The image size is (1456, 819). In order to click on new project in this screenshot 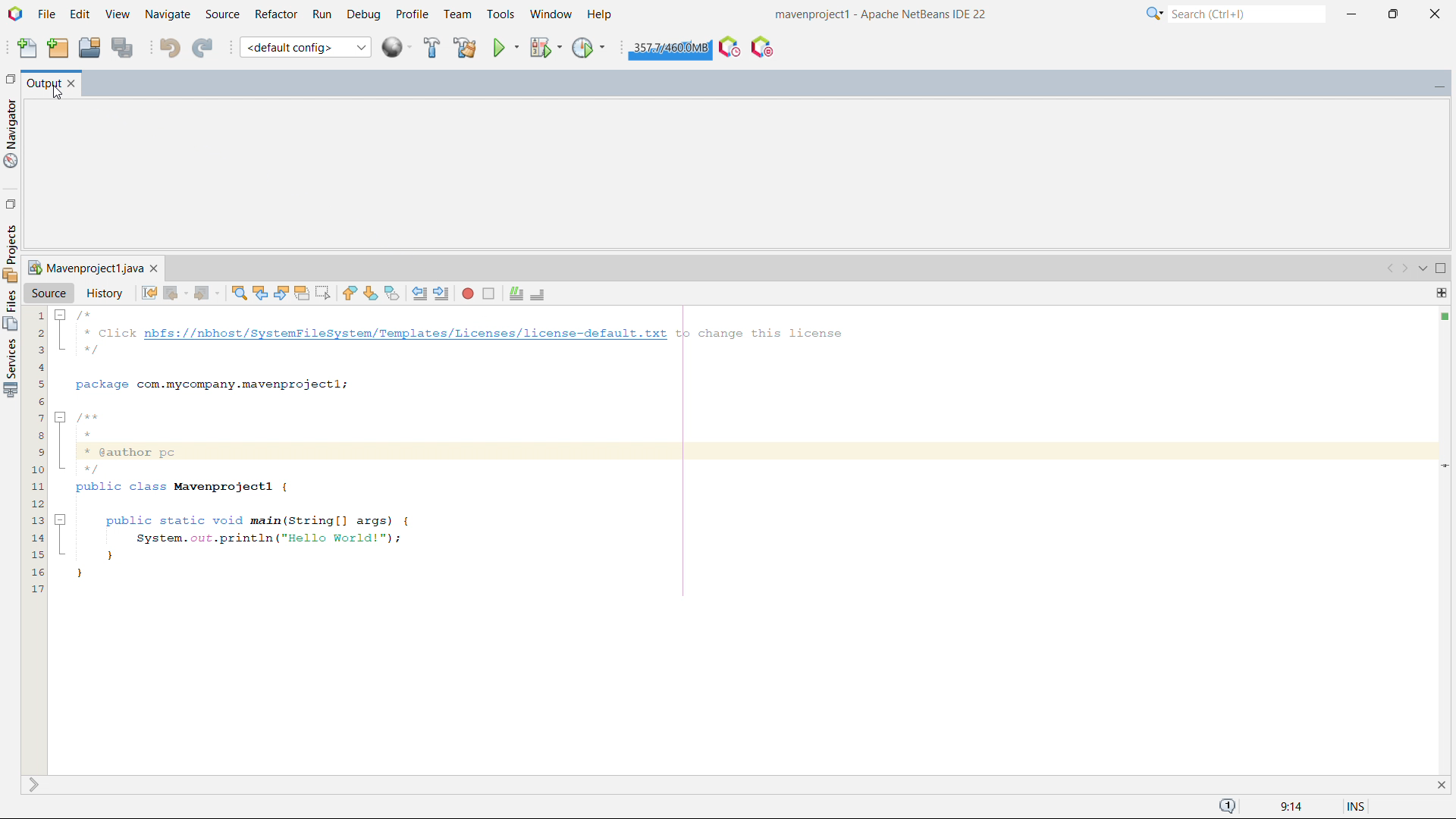, I will do `click(58, 47)`.